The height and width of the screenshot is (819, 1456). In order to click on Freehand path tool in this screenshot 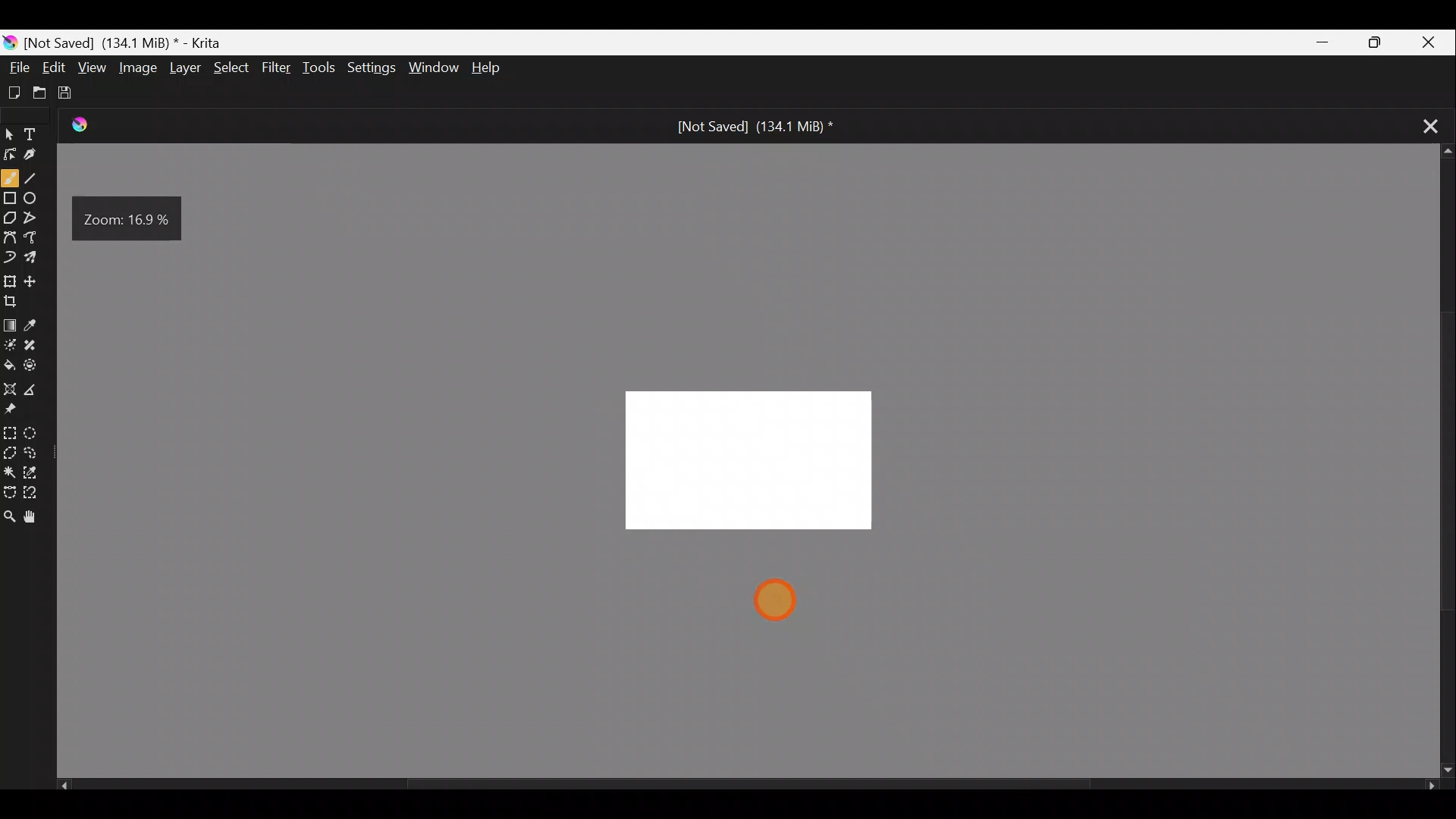, I will do `click(35, 236)`.